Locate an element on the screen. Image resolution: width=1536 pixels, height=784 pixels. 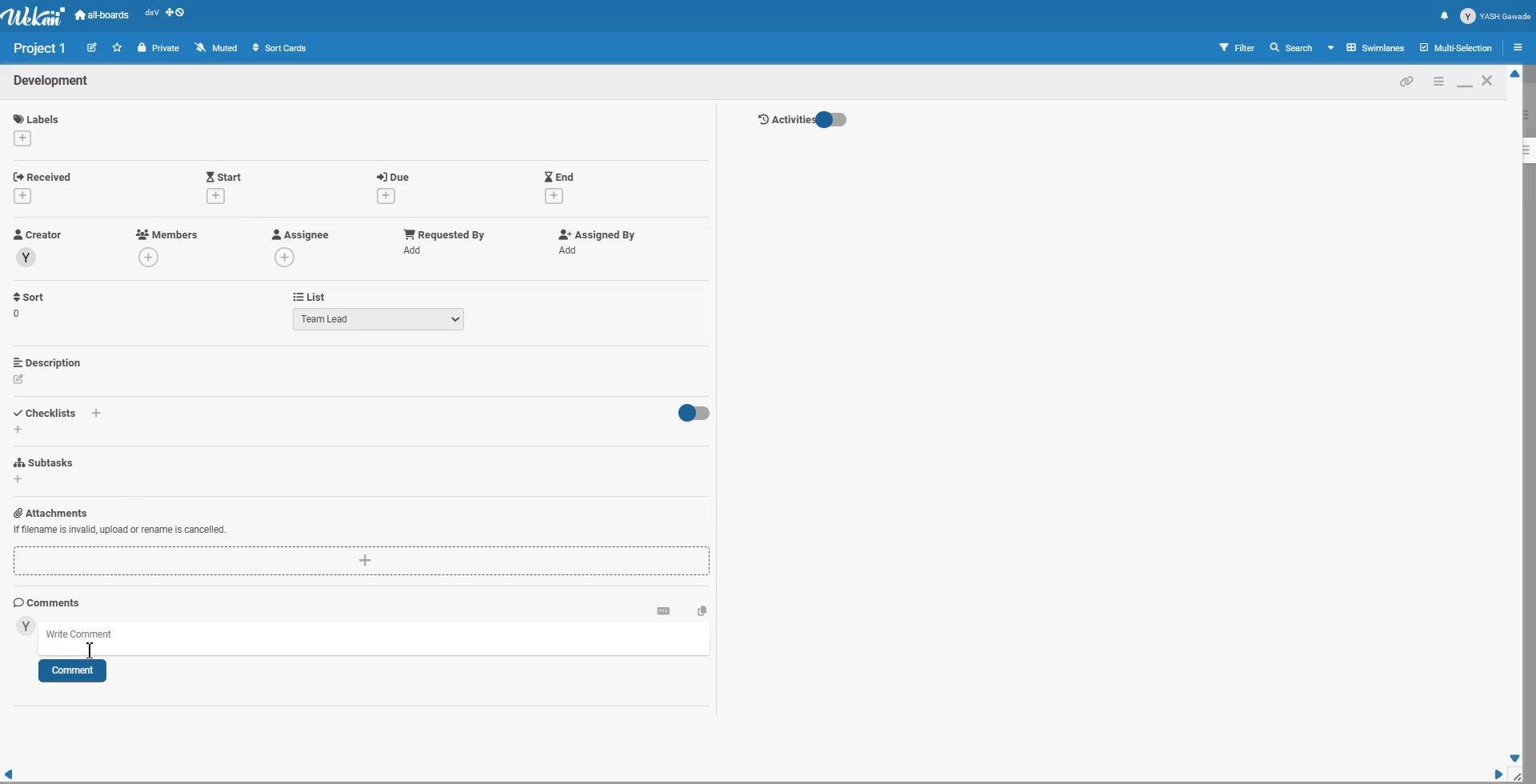
Private is located at coordinates (159, 48).